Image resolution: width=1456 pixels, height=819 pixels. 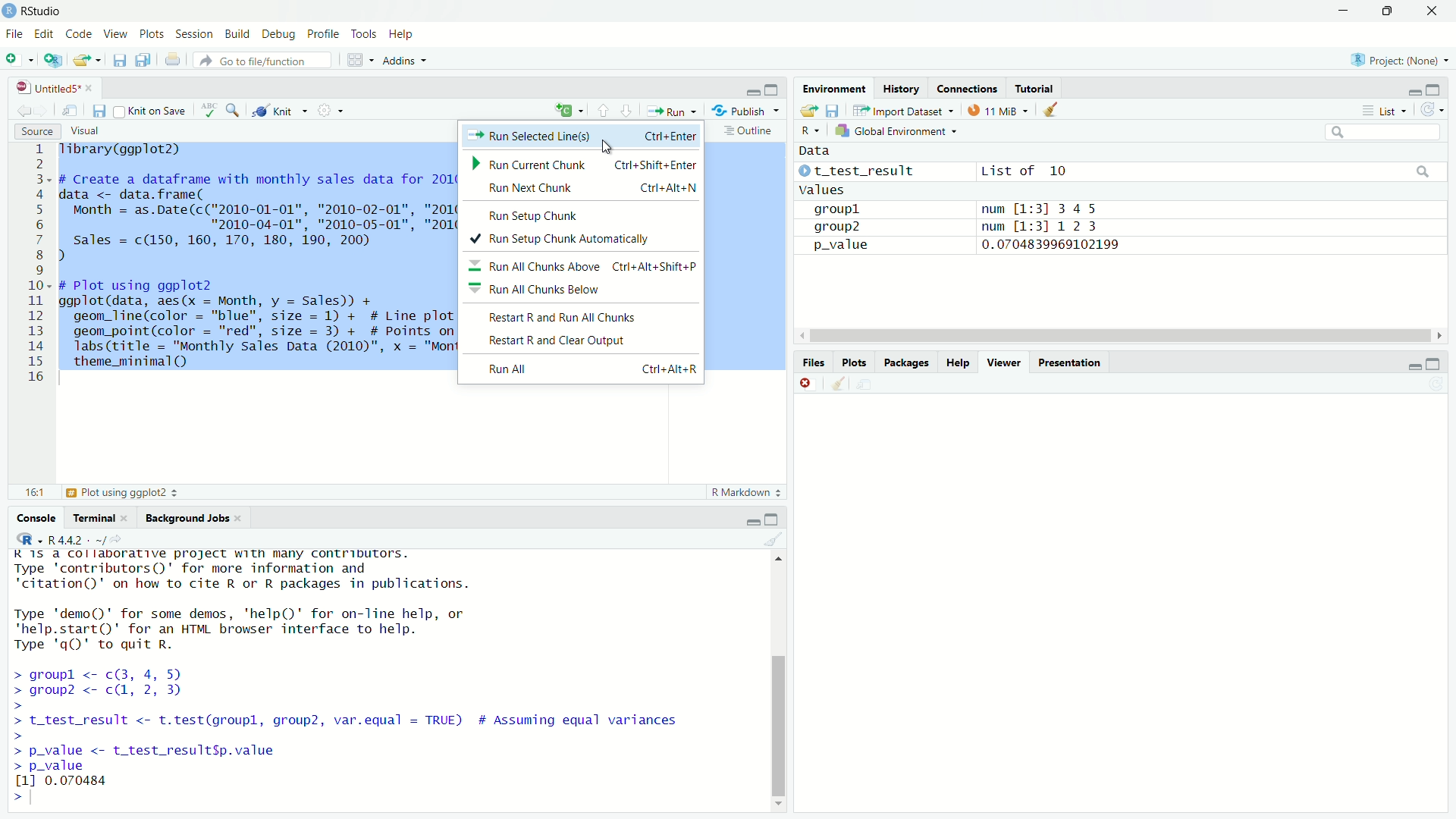 I want to click on Data, so click(x=819, y=151).